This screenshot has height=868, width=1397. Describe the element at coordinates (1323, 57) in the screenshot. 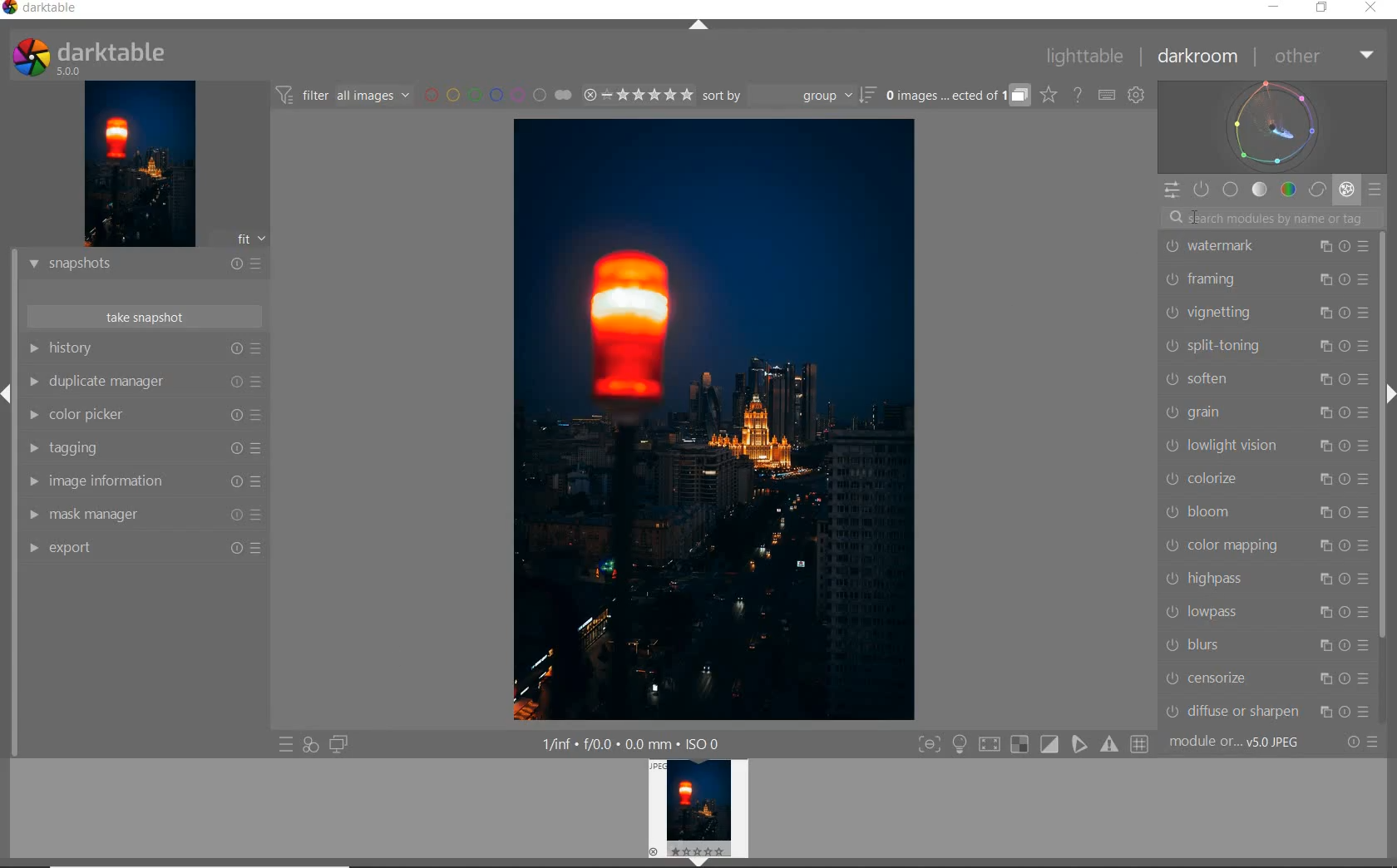

I see `OTHER` at that location.